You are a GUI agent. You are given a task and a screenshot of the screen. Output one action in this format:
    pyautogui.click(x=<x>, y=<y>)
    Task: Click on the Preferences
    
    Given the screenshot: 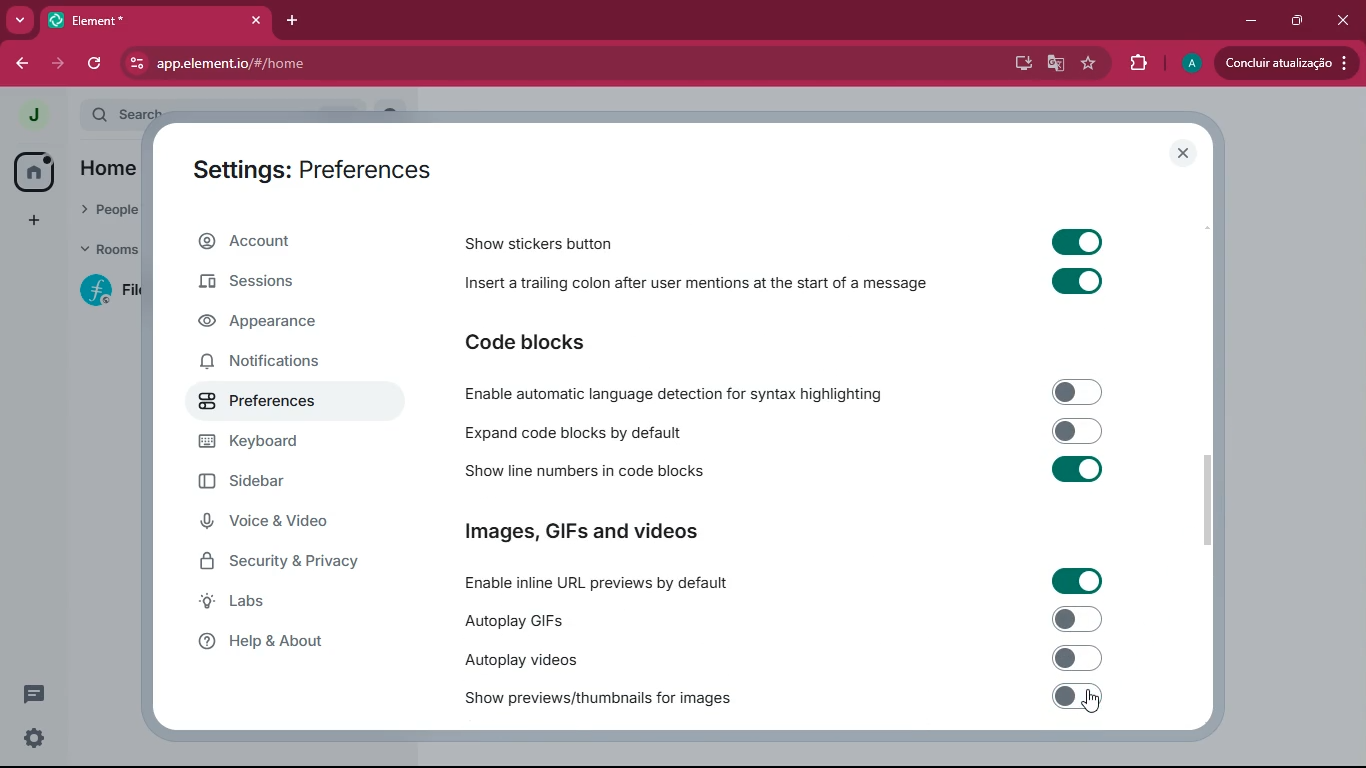 What is the action you would take?
    pyautogui.click(x=294, y=402)
    